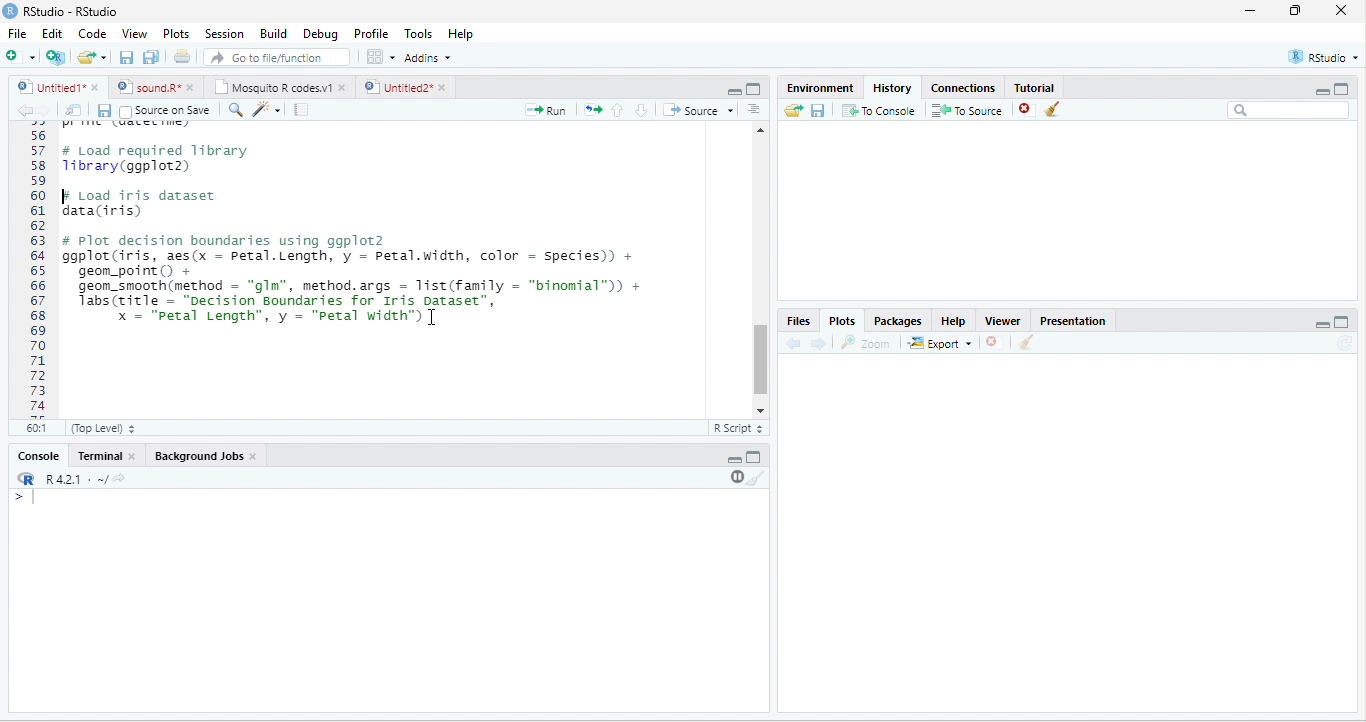 The width and height of the screenshot is (1366, 722). Describe the element at coordinates (1341, 322) in the screenshot. I see `Maximize` at that location.